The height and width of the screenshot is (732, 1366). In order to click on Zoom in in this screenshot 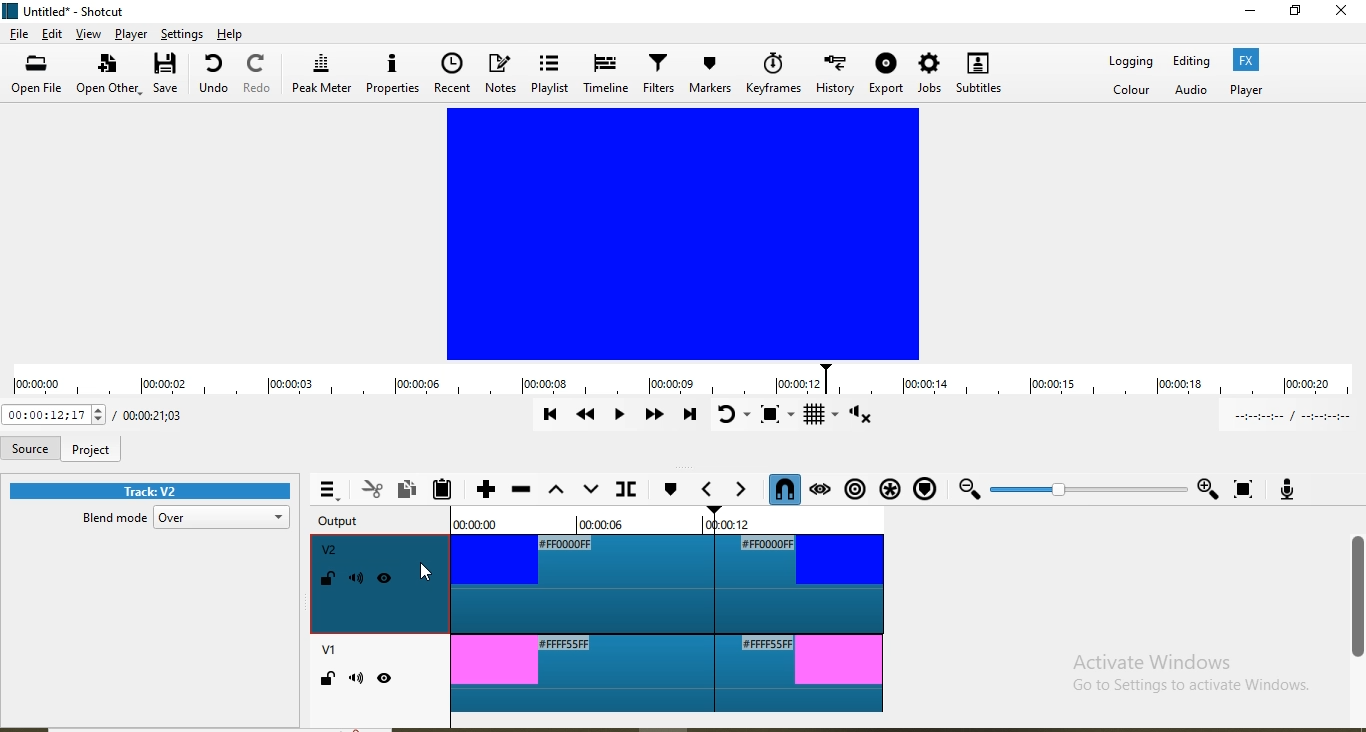, I will do `click(1207, 485)`.